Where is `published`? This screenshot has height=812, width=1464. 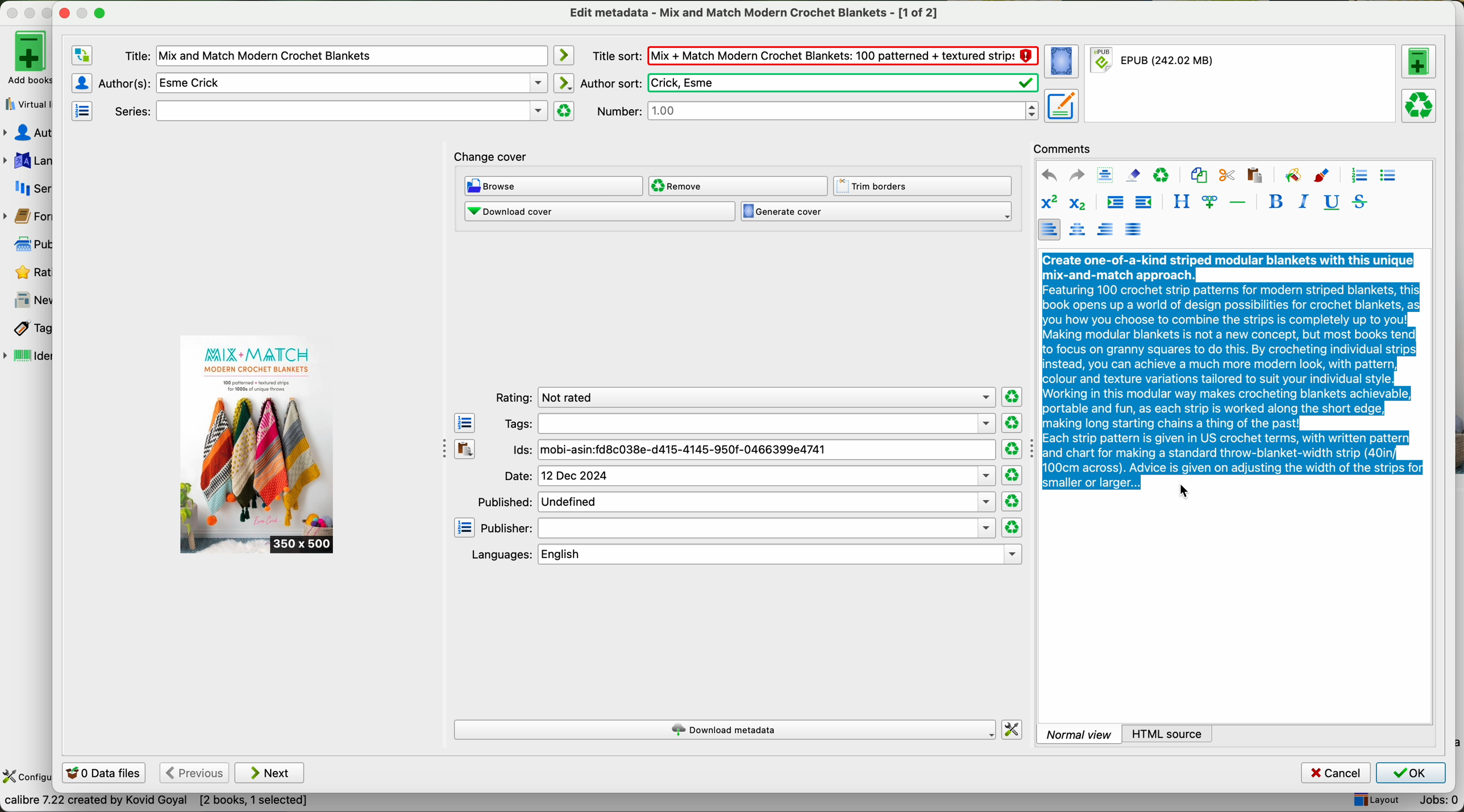 published is located at coordinates (735, 501).